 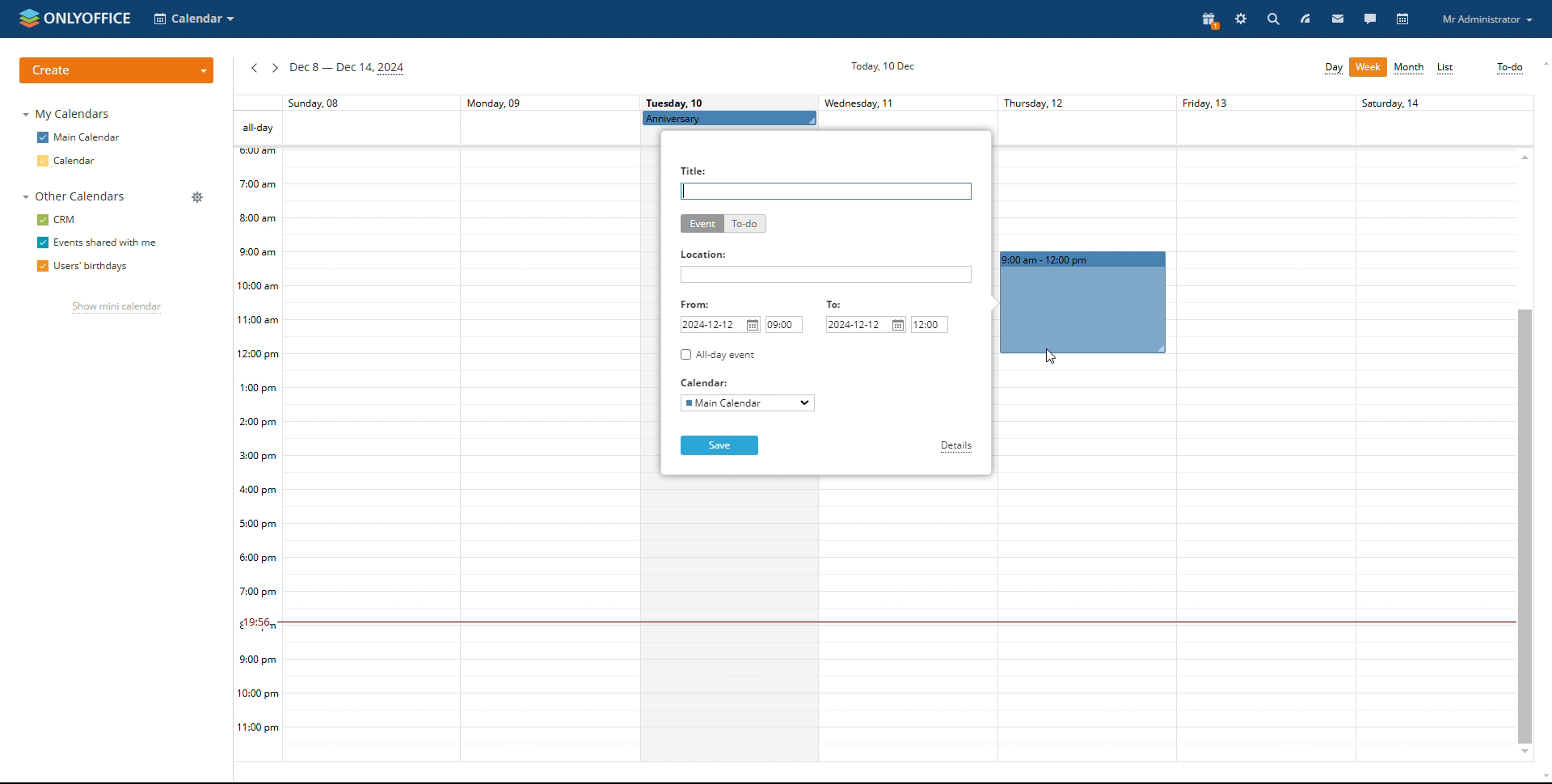 What do you see at coordinates (348, 70) in the screenshot?
I see `current week` at bounding box center [348, 70].